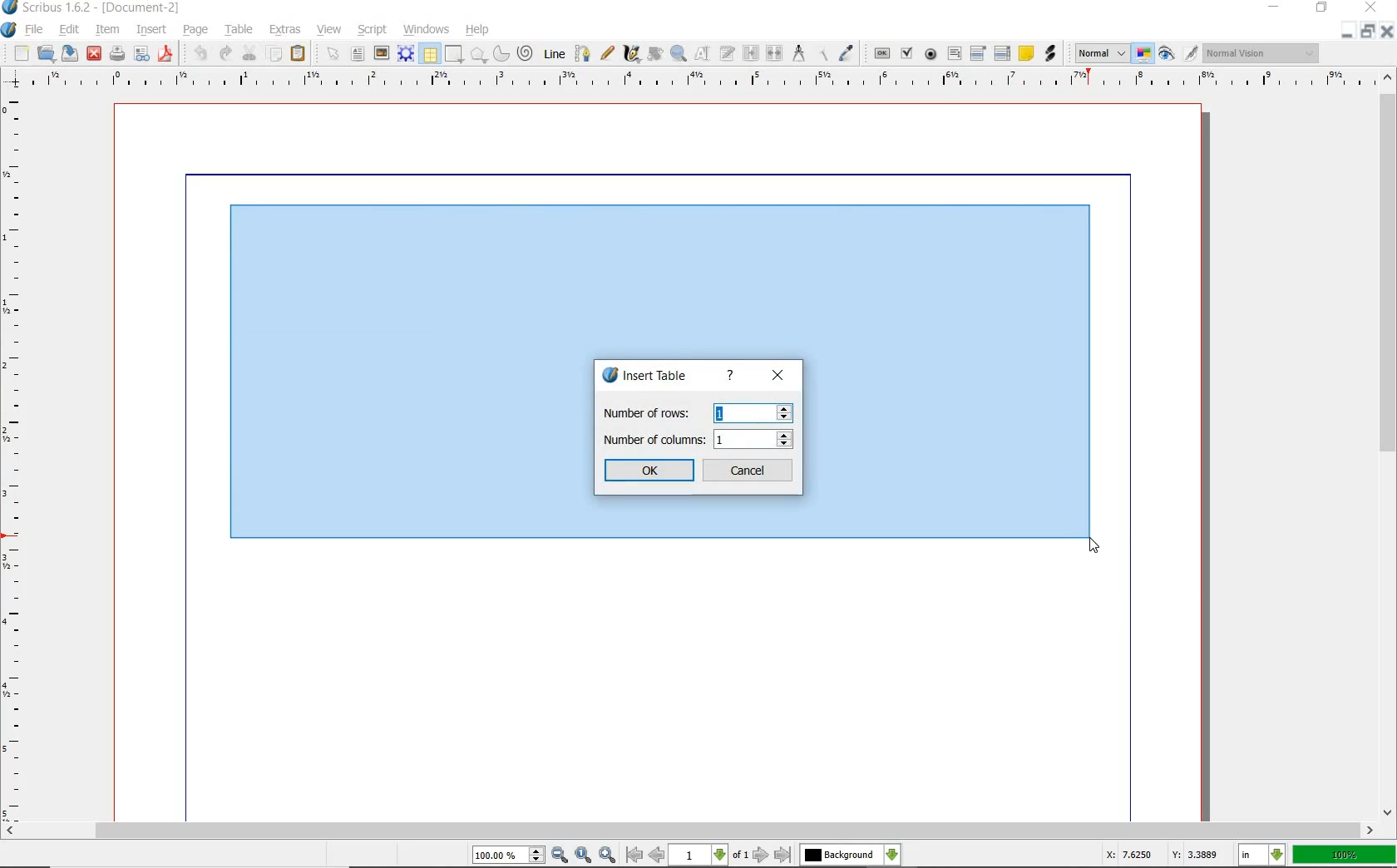  What do you see at coordinates (1163, 855) in the screenshot?
I see `X: 7.6250 Y: 3.3889` at bounding box center [1163, 855].